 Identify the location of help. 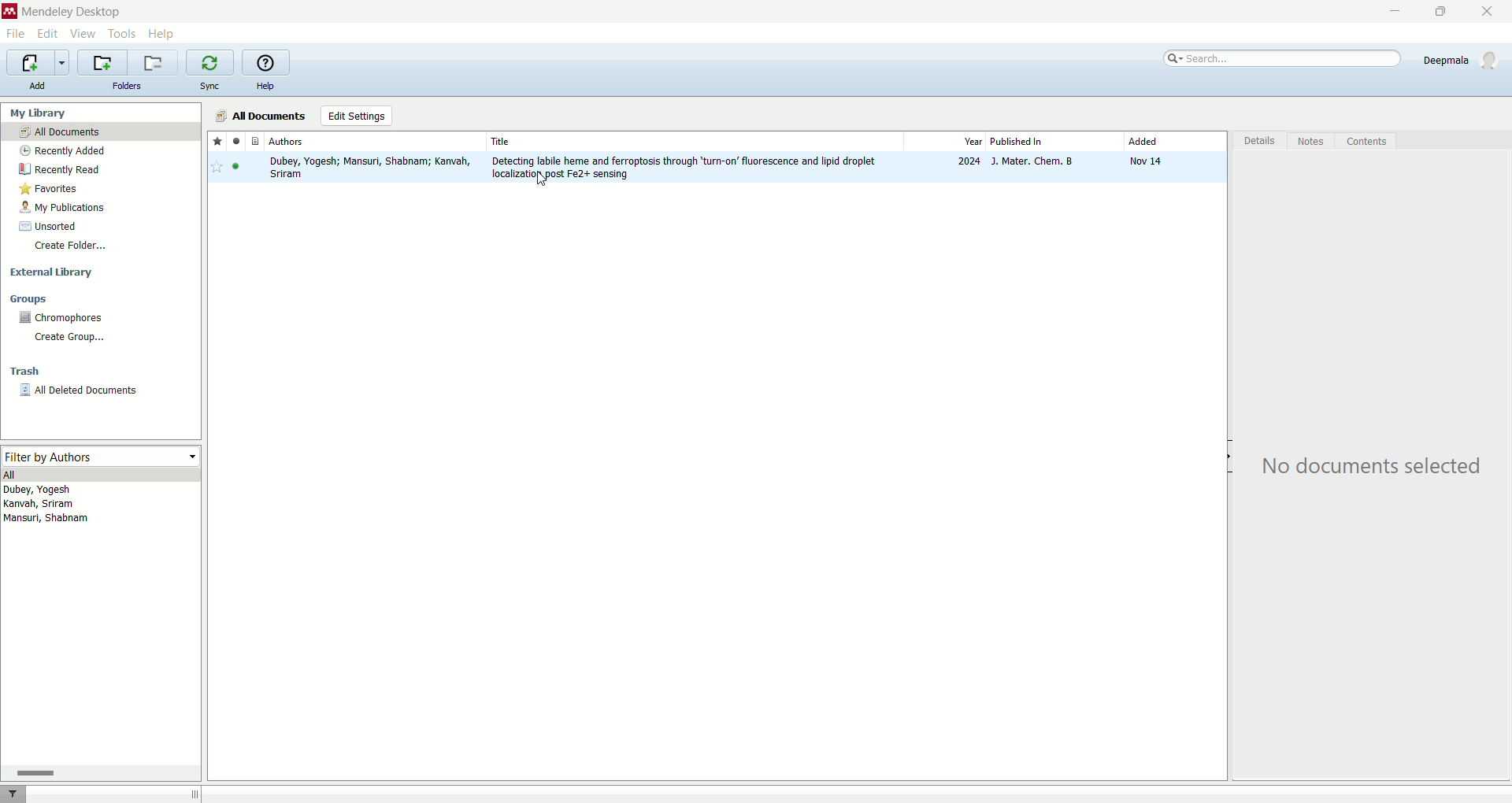
(267, 87).